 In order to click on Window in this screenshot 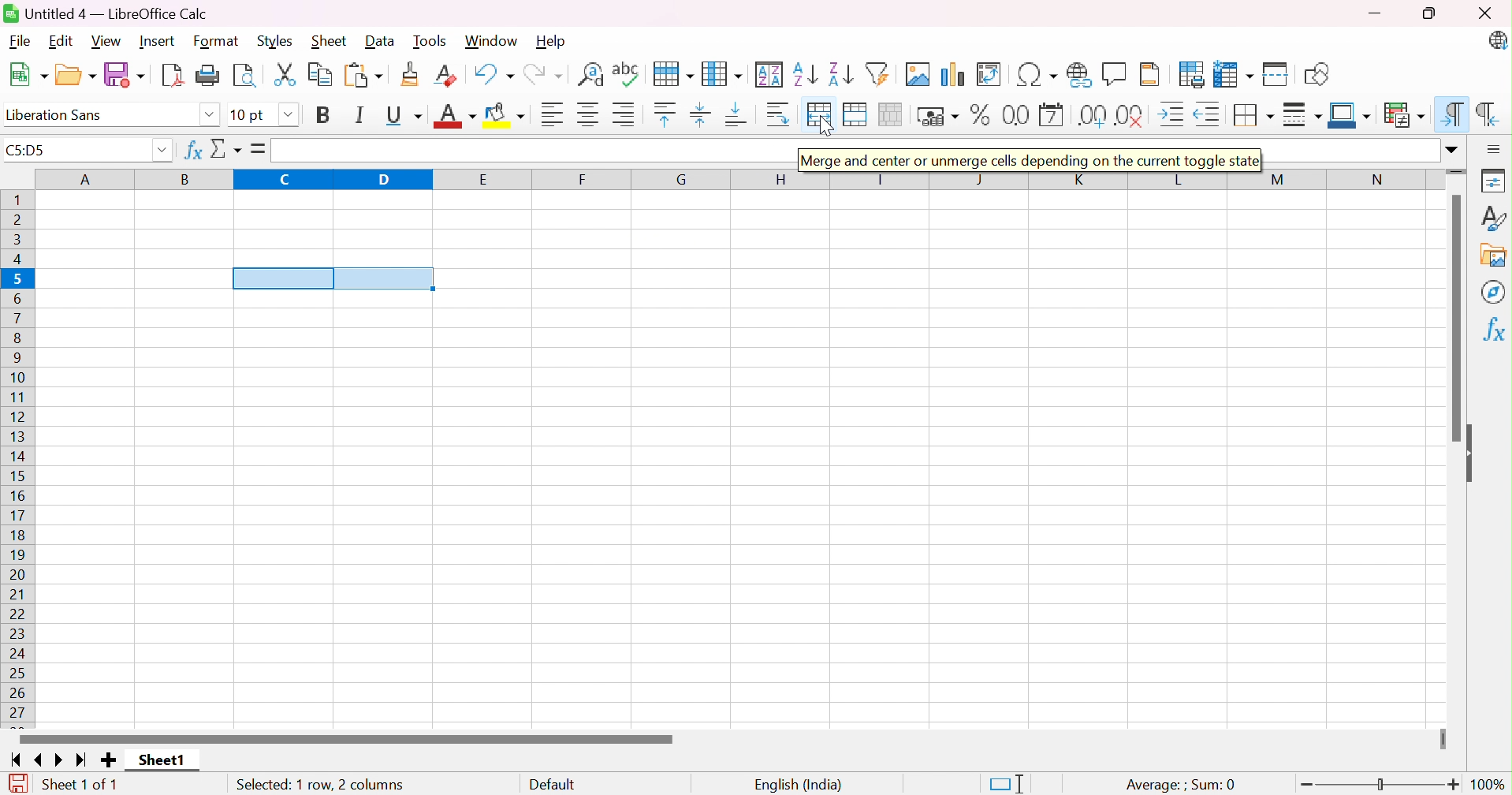, I will do `click(493, 40)`.